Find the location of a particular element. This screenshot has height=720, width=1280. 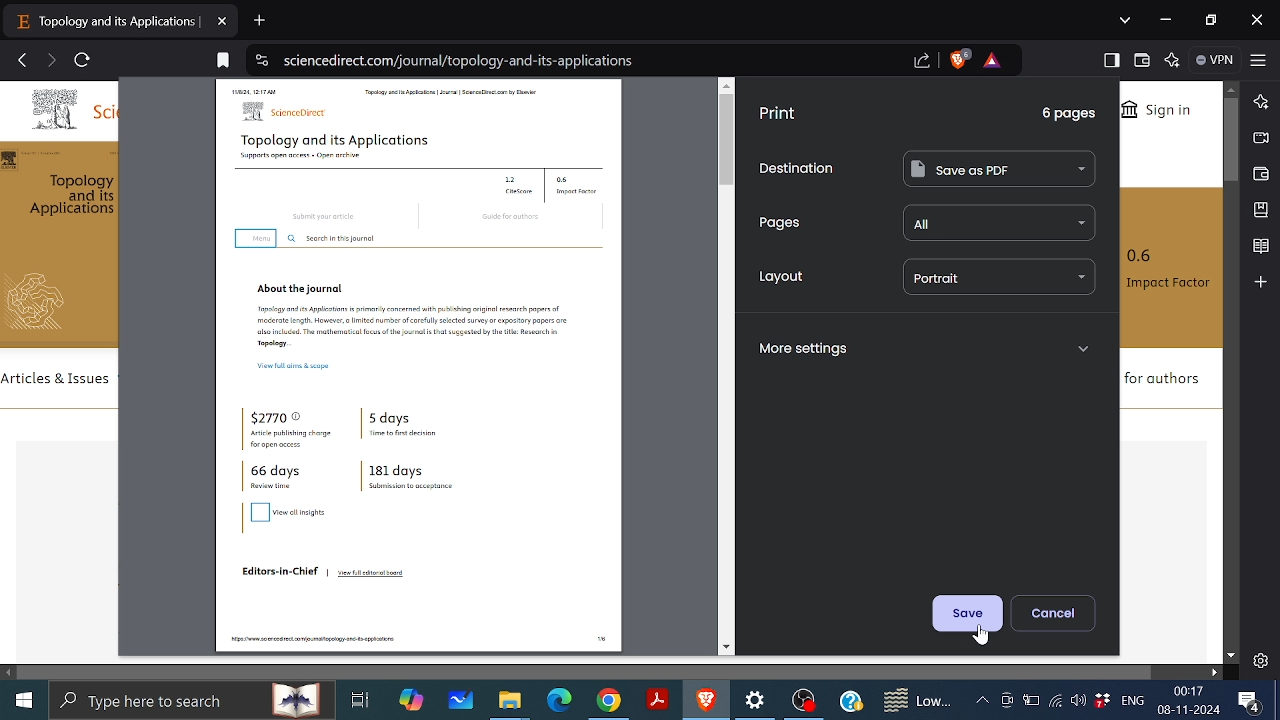

view site information is located at coordinates (260, 61).